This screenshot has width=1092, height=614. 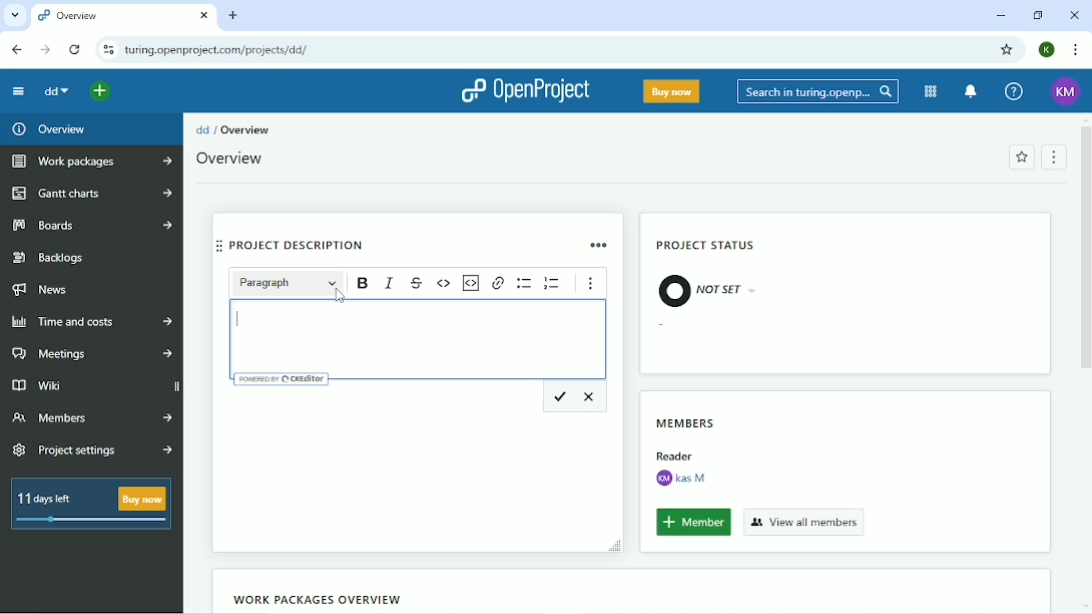 I want to click on Kas M, so click(x=680, y=478).